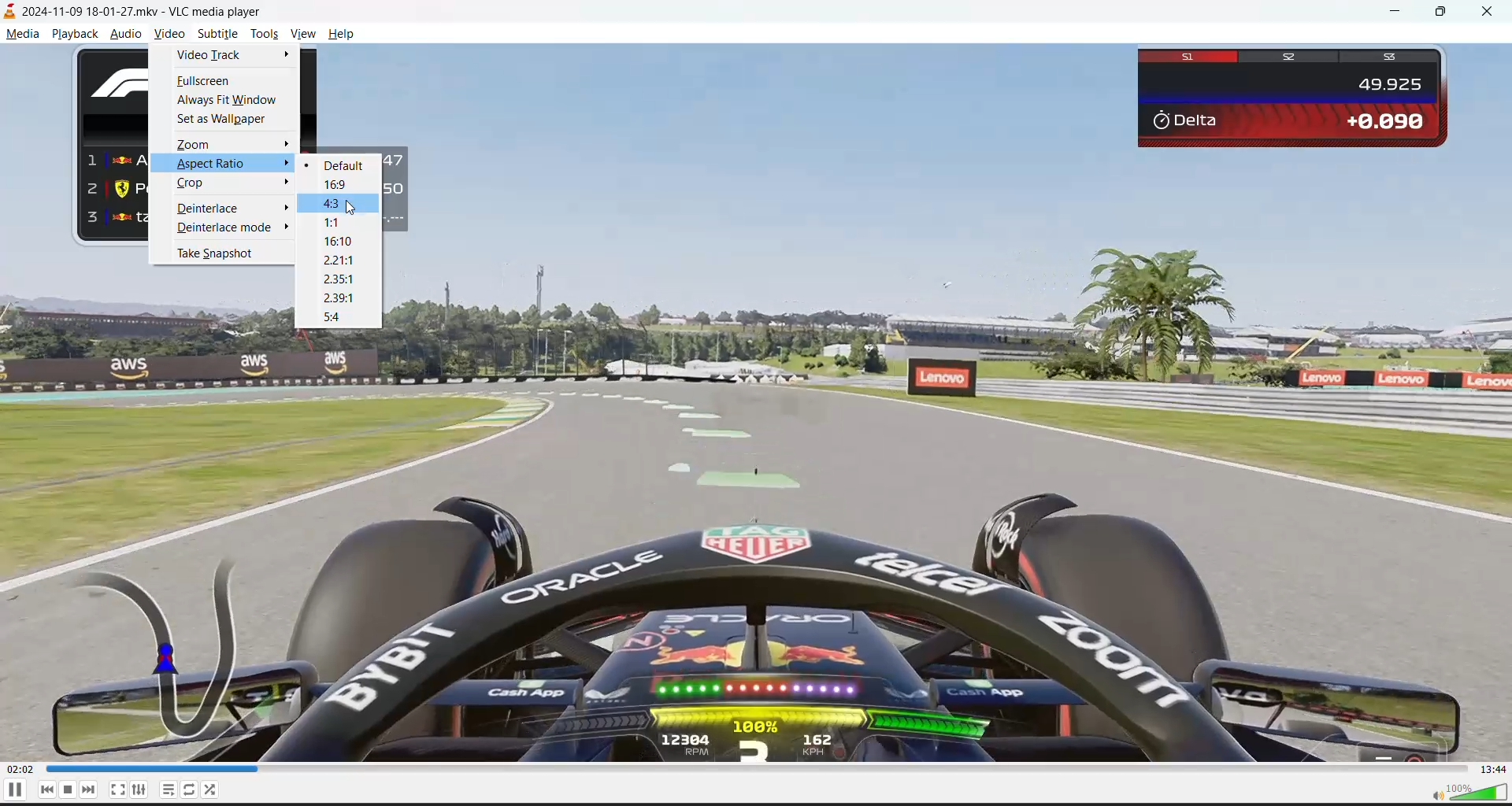 Image resolution: width=1512 pixels, height=806 pixels. I want to click on fullscreen, so click(205, 83).